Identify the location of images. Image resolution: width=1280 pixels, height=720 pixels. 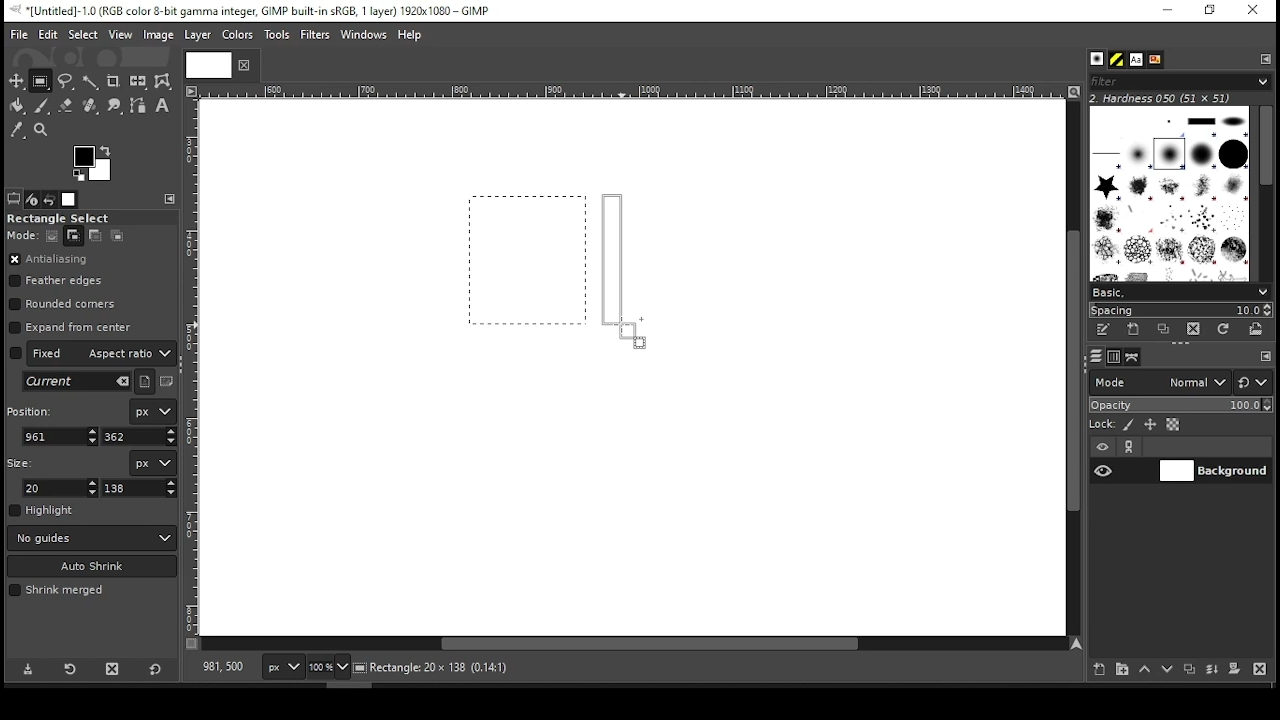
(70, 200).